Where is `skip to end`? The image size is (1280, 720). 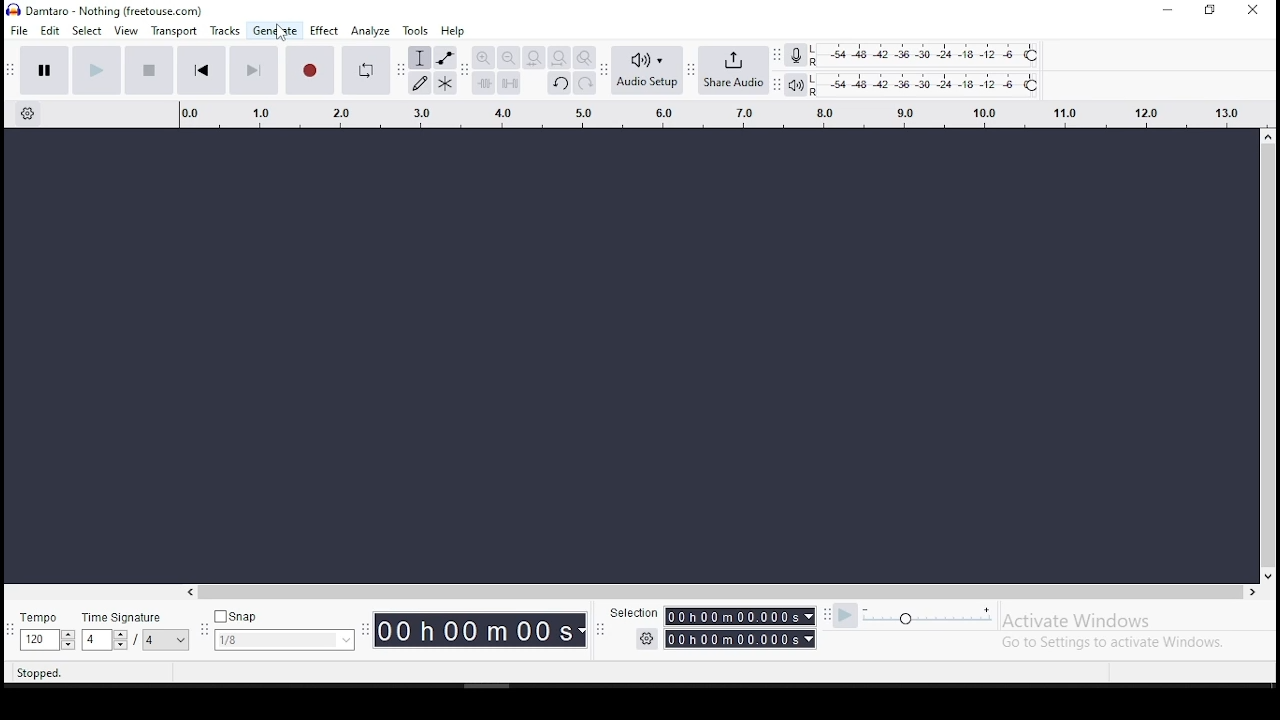 skip to end is located at coordinates (254, 70).